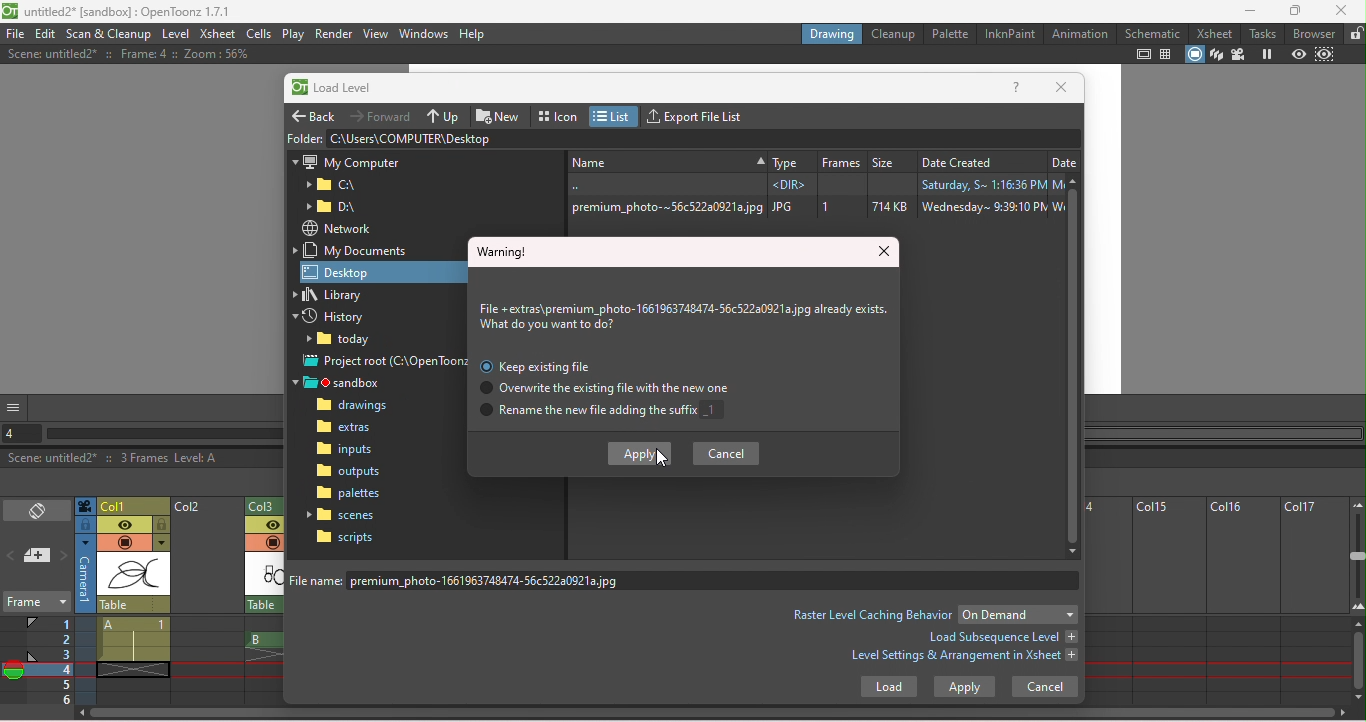  Describe the element at coordinates (1357, 610) in the screenshot. I see `Zoom in` at that location.